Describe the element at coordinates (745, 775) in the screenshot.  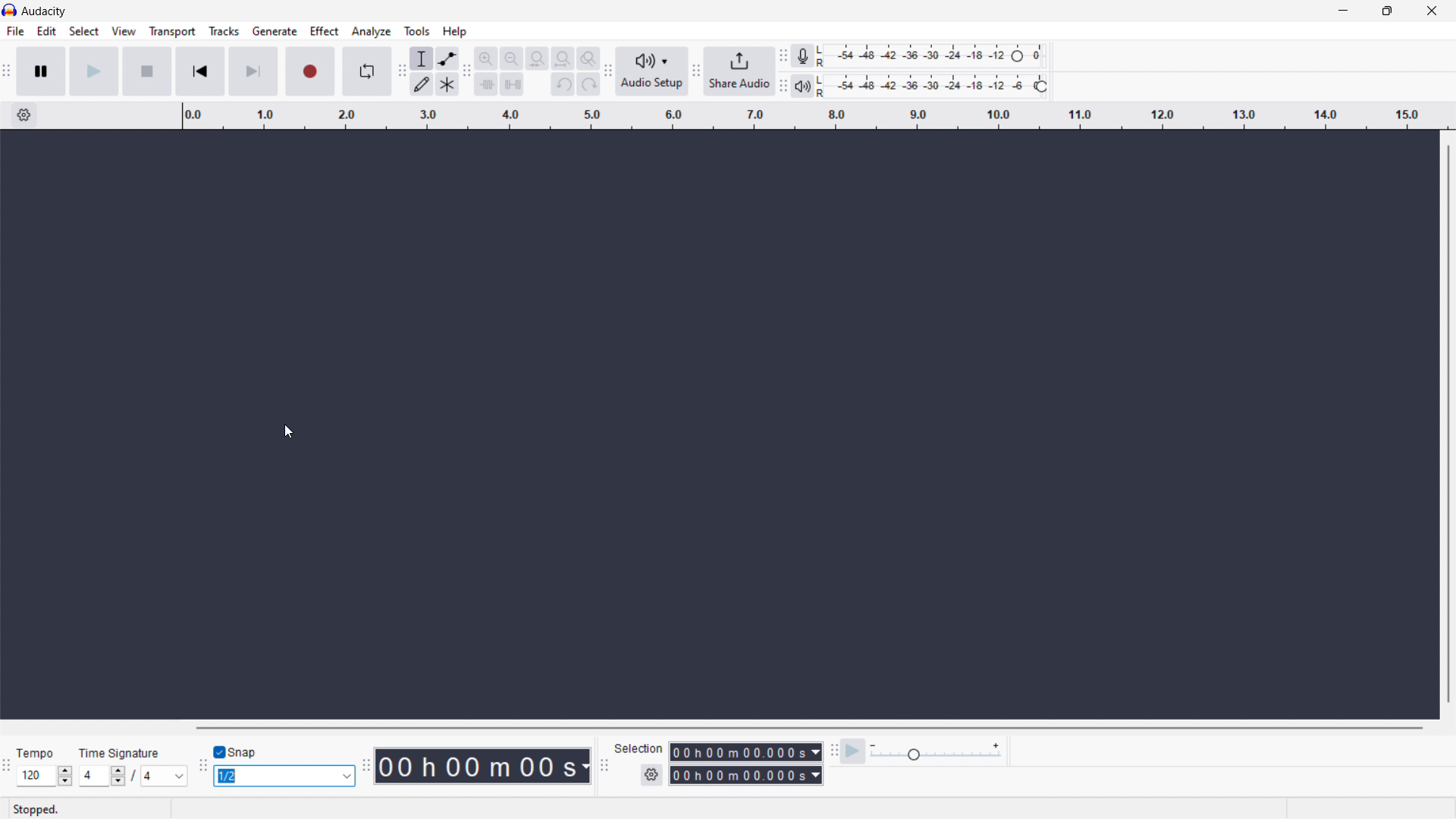
I see `selection end time` at that location.